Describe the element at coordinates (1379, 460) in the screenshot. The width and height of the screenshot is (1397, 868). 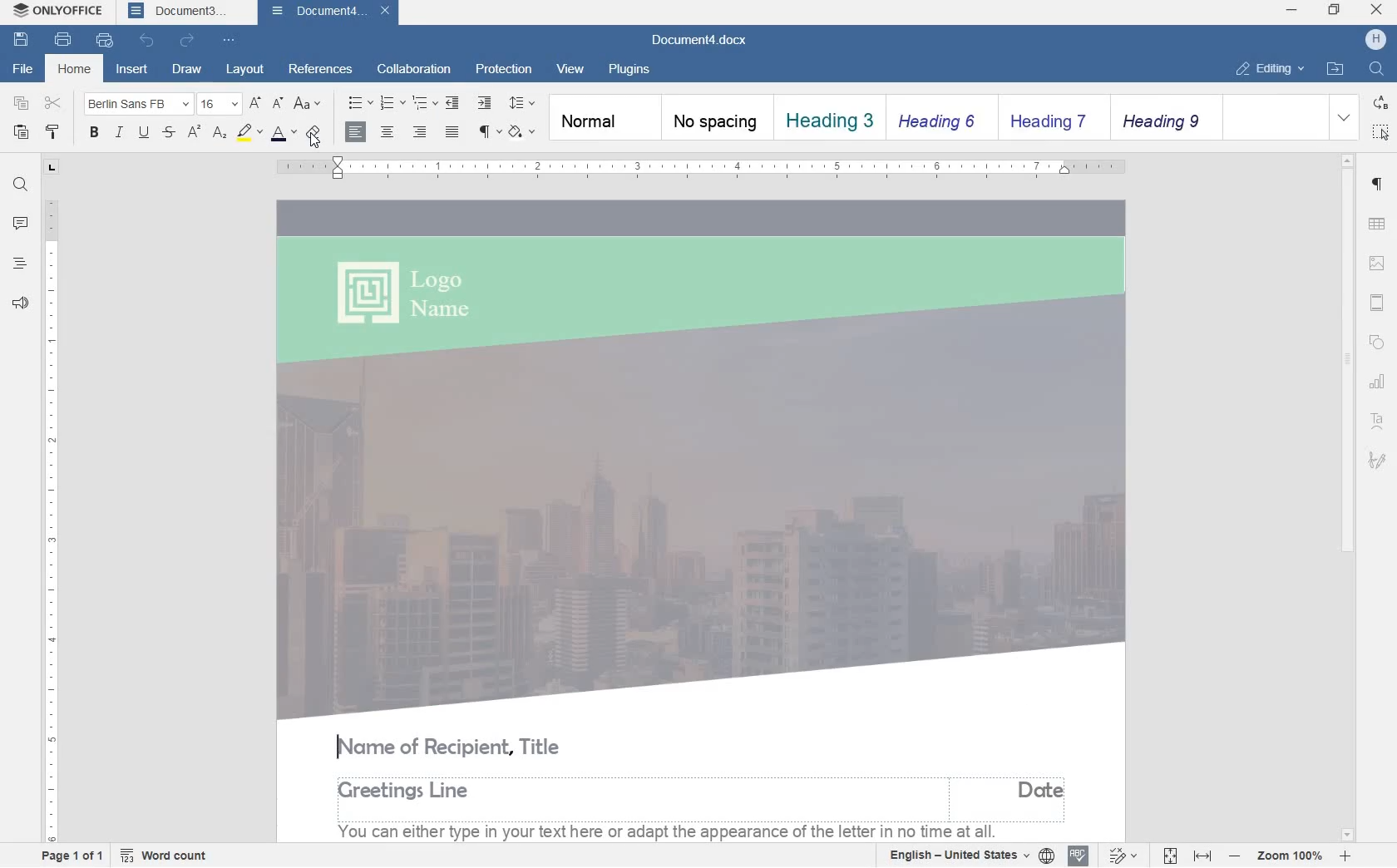
I see `signature` at that location.